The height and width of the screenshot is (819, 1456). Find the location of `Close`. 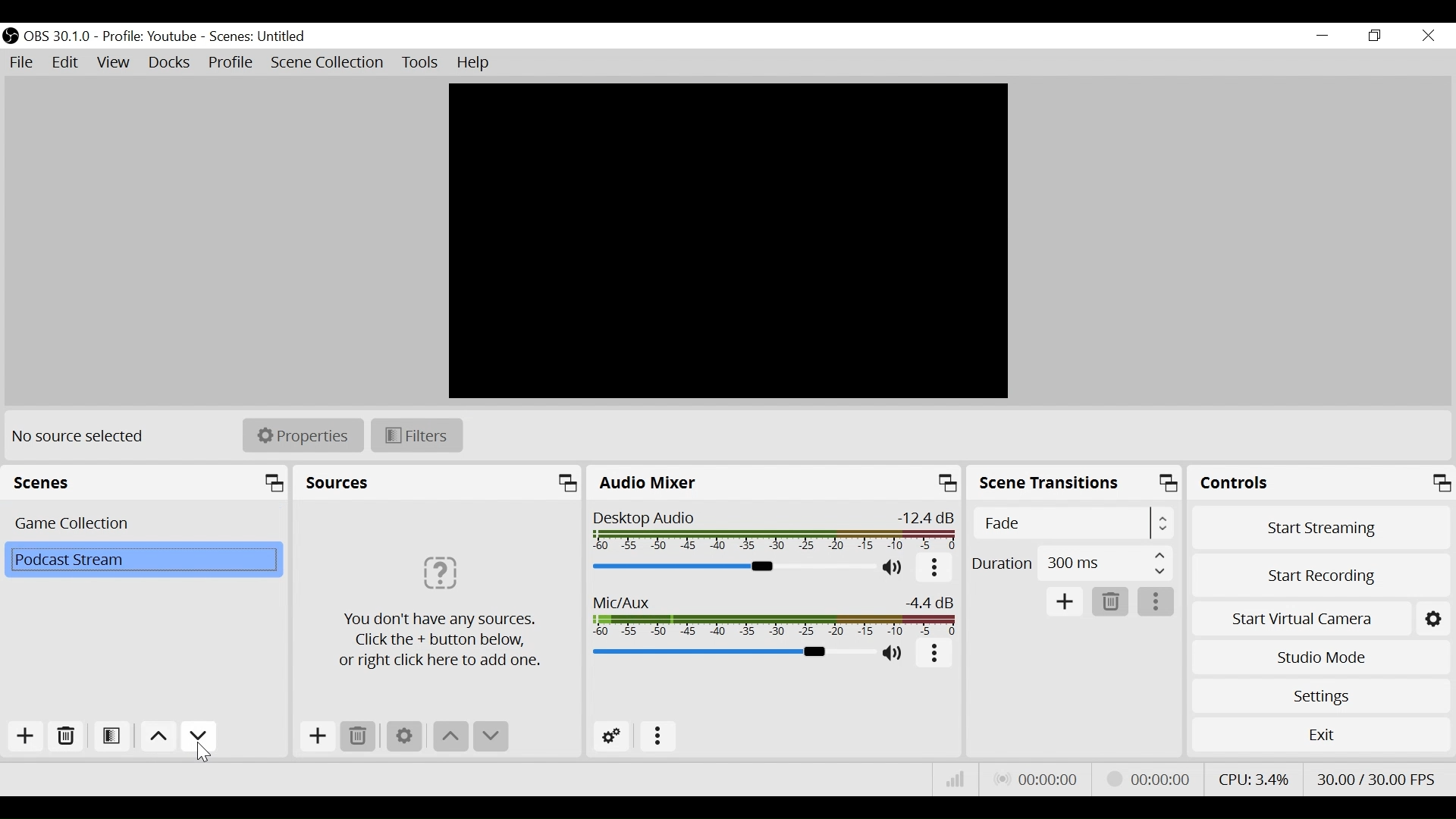

Close is located at coordinates (1427, 36).